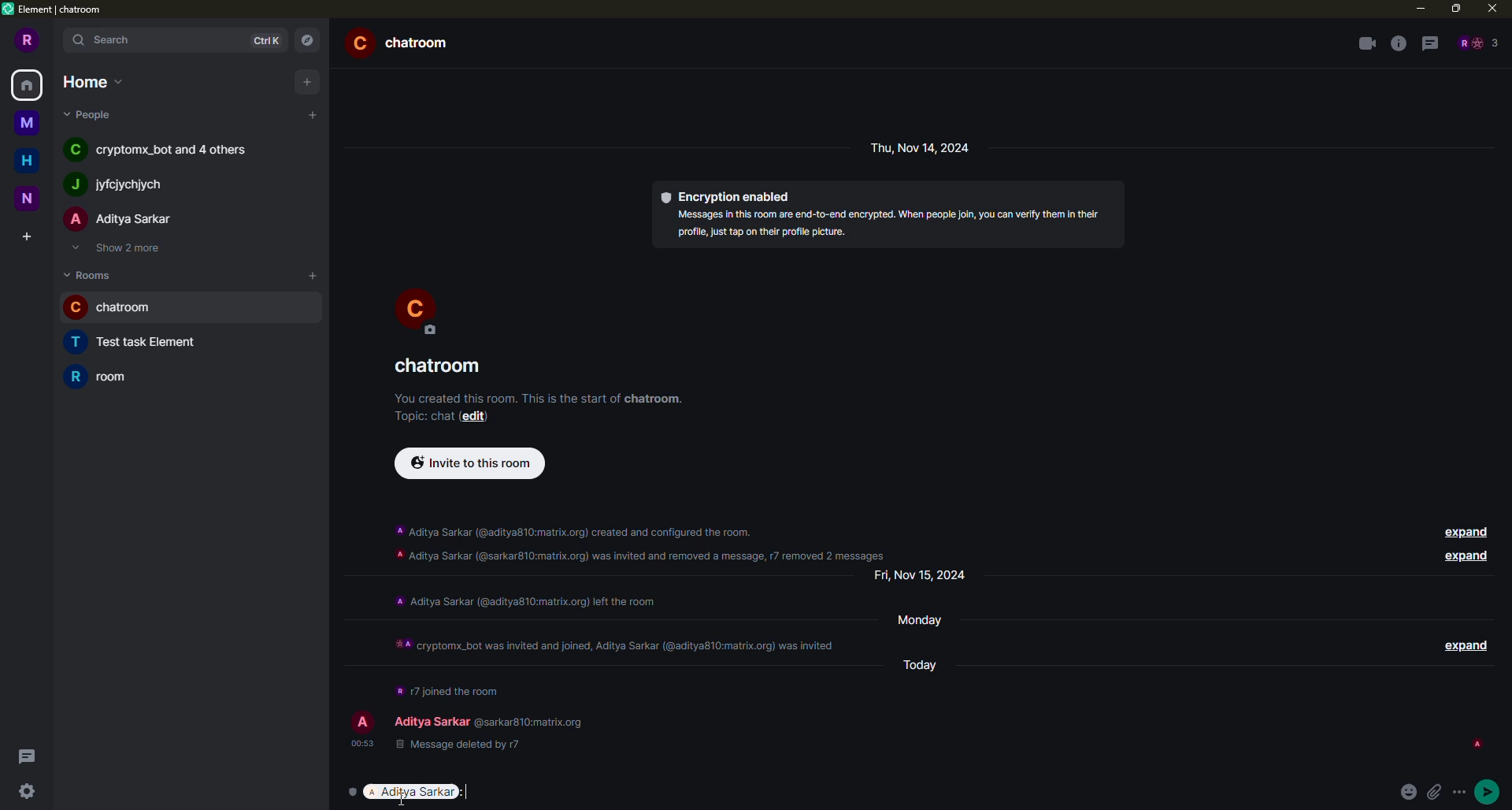  Describe the element at coordinates (419, 415) in the screenshot. I see `add a topic` at that location.